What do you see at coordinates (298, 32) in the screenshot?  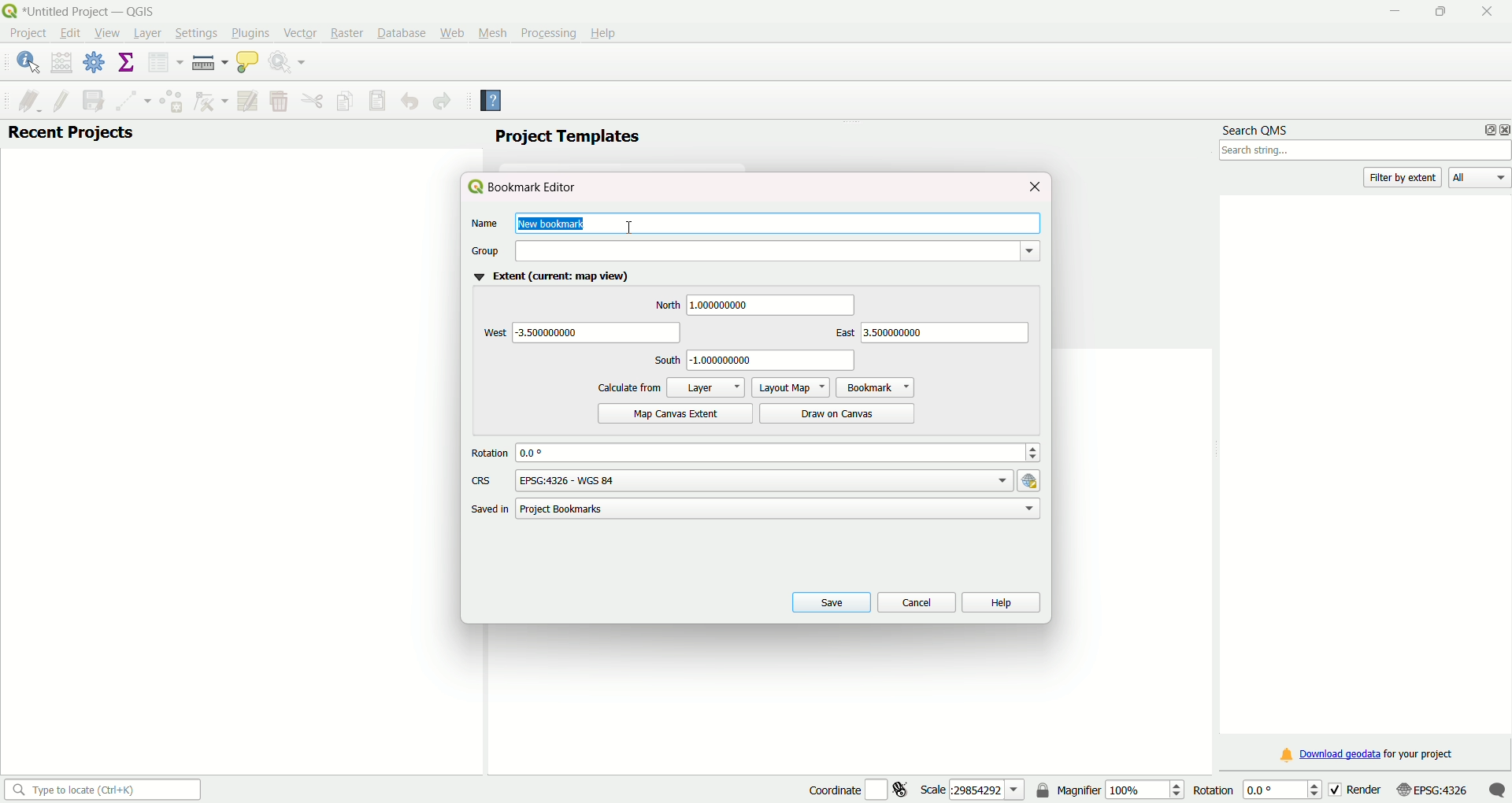 I see `Vector` at bounding box center [298, 32].